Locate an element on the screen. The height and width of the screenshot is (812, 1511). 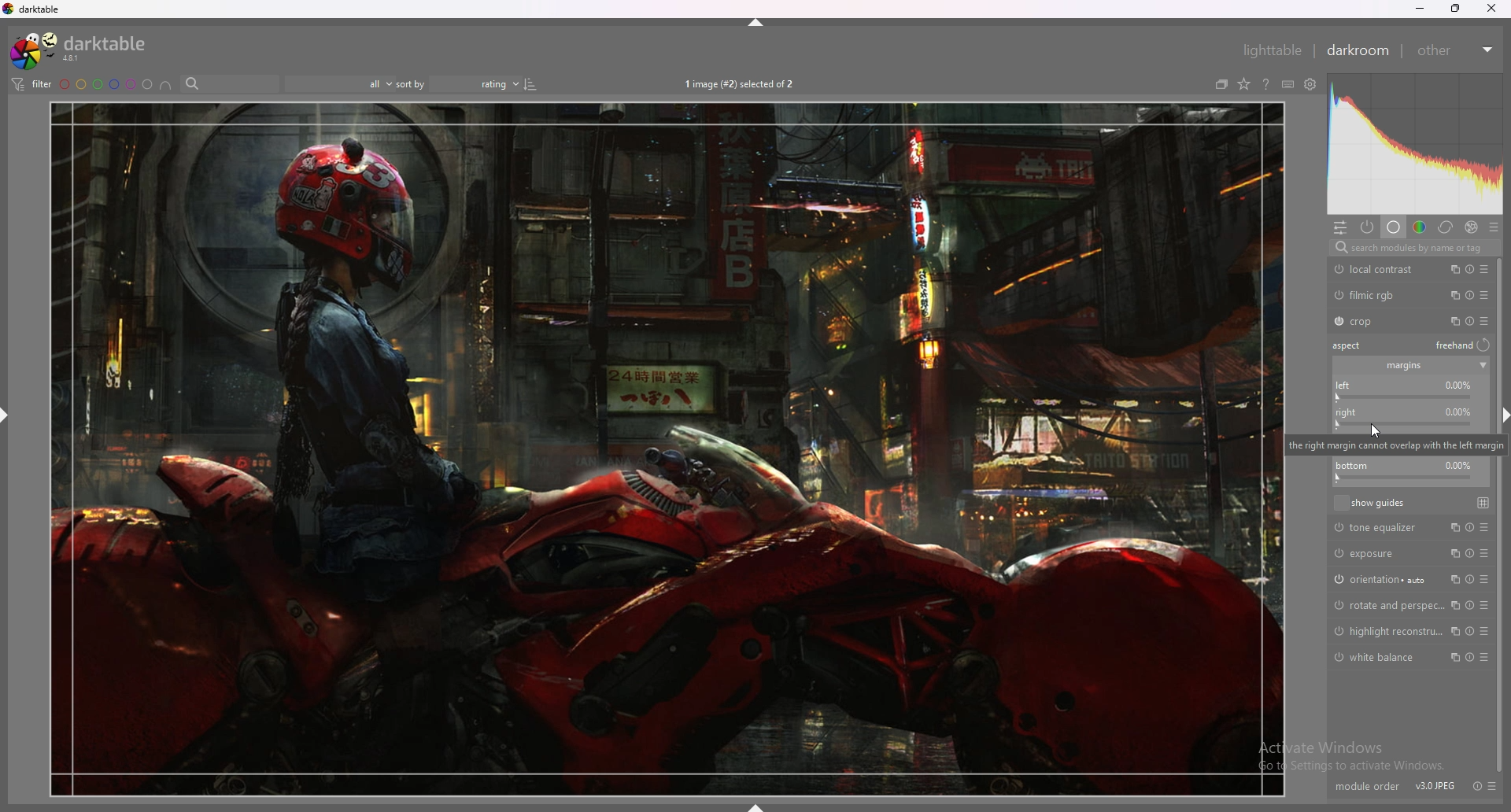
multiple instances action is located at coordinates (1452, 268).